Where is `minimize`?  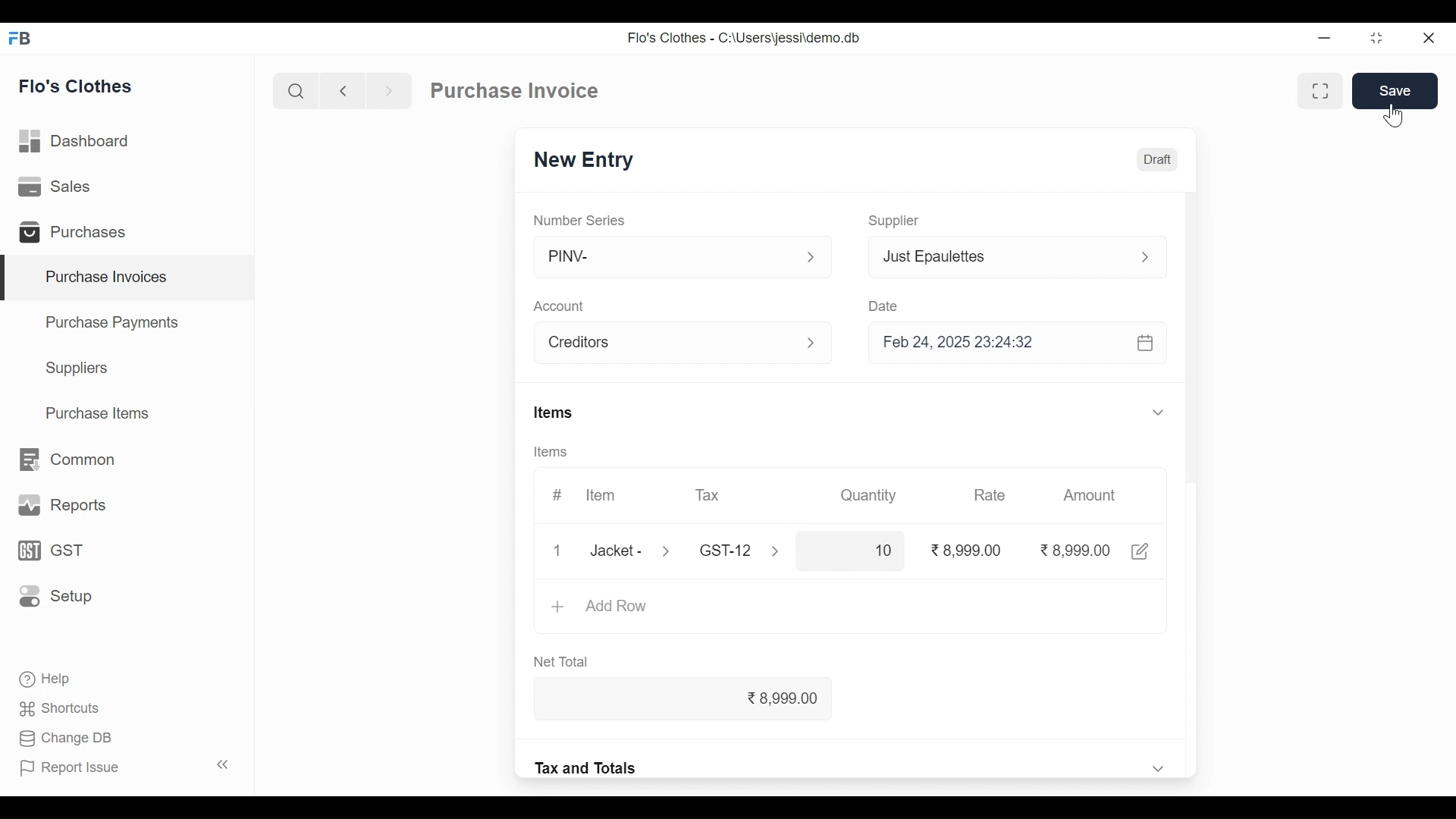 minimize is located at coordinates (1326, 39).